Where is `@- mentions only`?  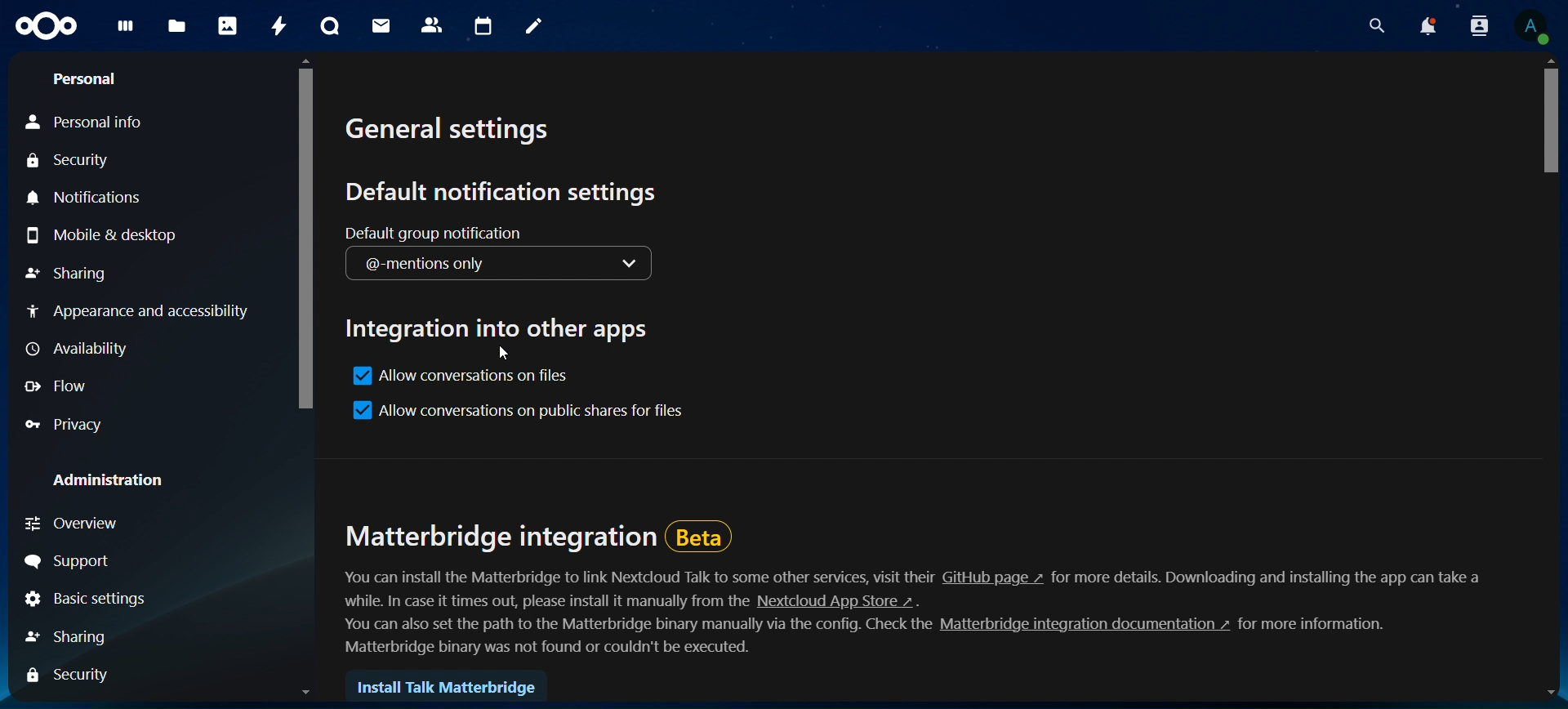
@- mentions only is located at coordinates (500, 265).